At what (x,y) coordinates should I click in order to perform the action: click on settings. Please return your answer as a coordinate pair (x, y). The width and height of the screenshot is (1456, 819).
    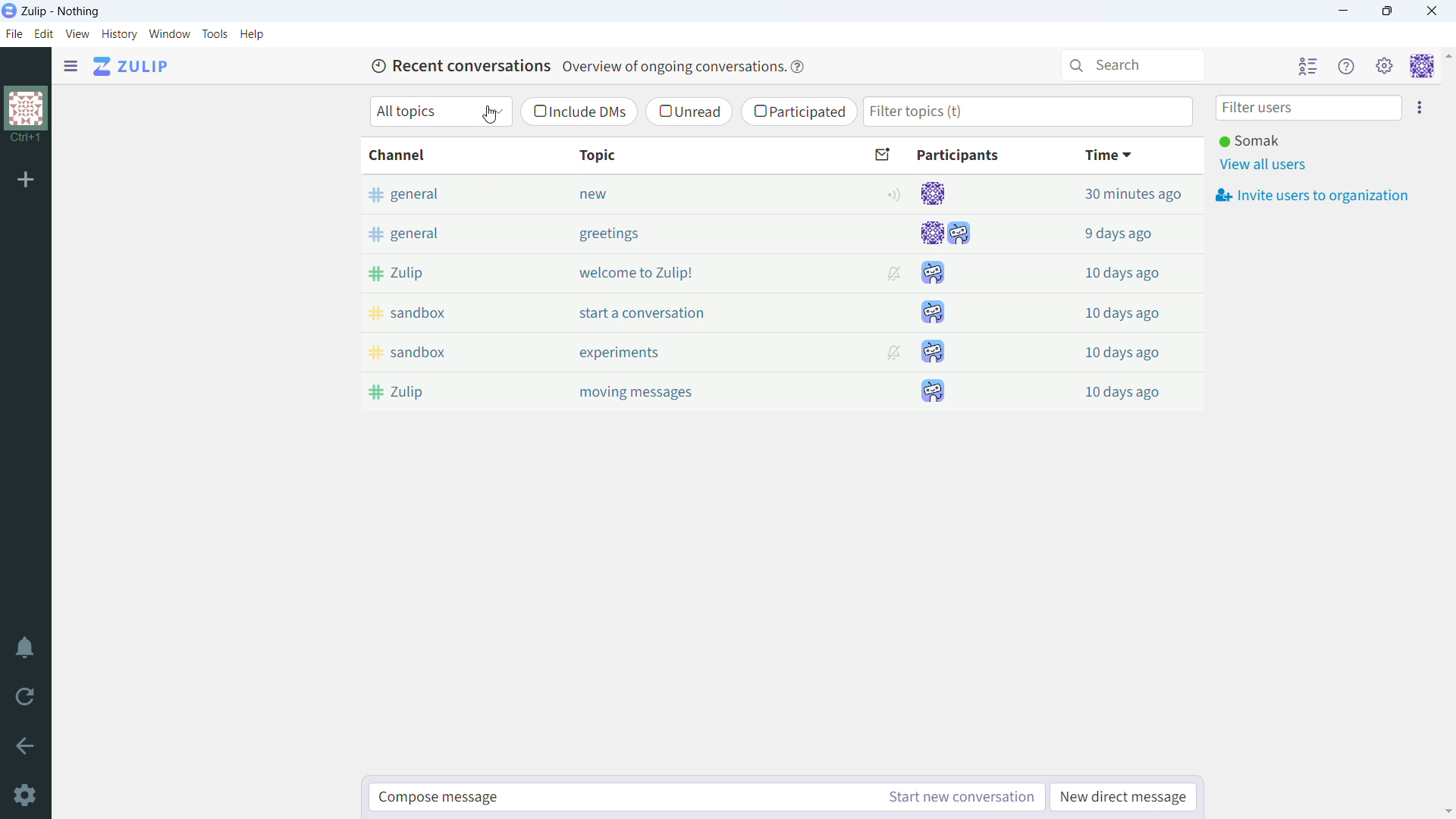
    Looking at the image, I should click on (27, 796).